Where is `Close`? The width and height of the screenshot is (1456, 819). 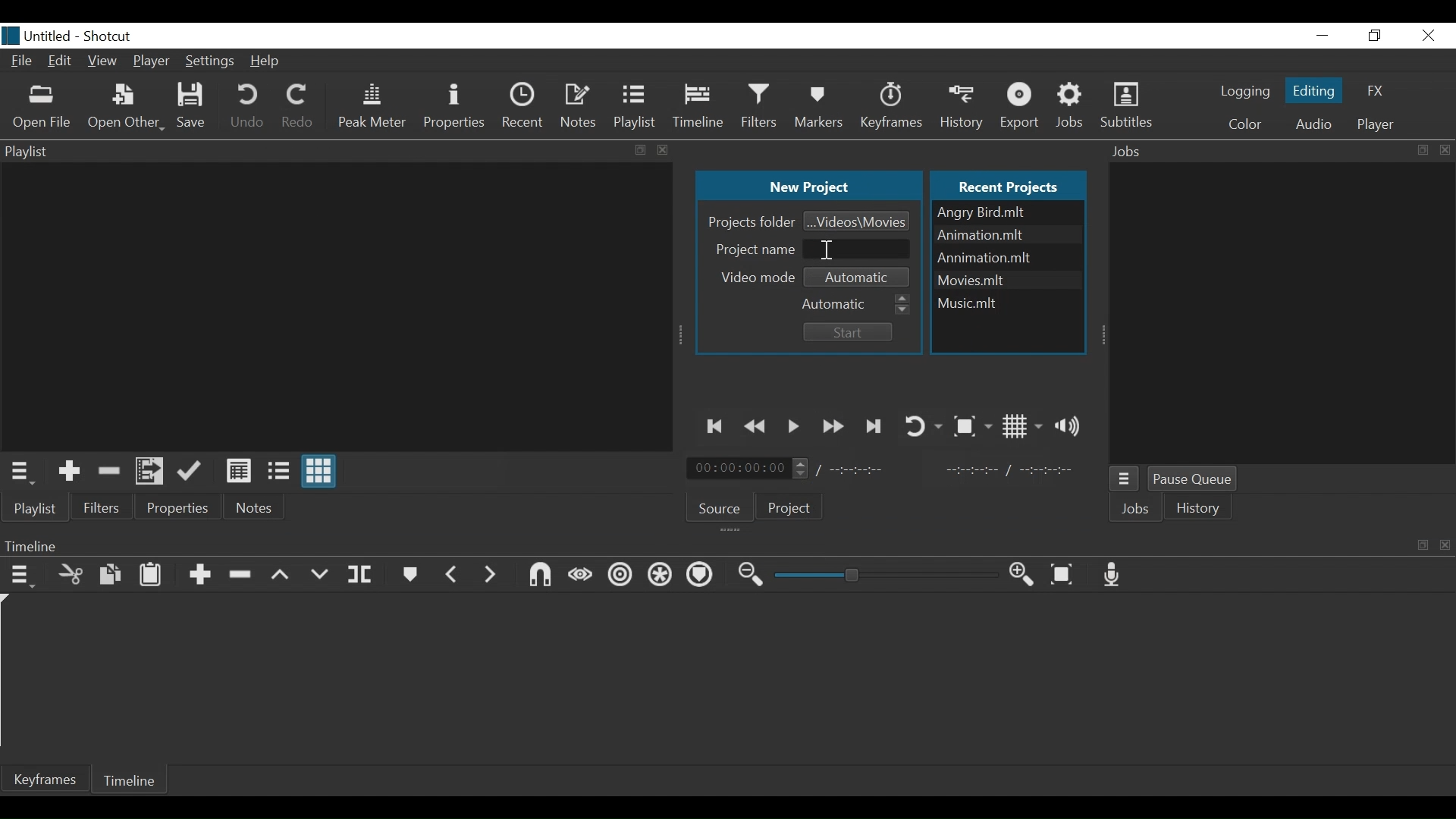 Close is located at coordinates (1426, 35).